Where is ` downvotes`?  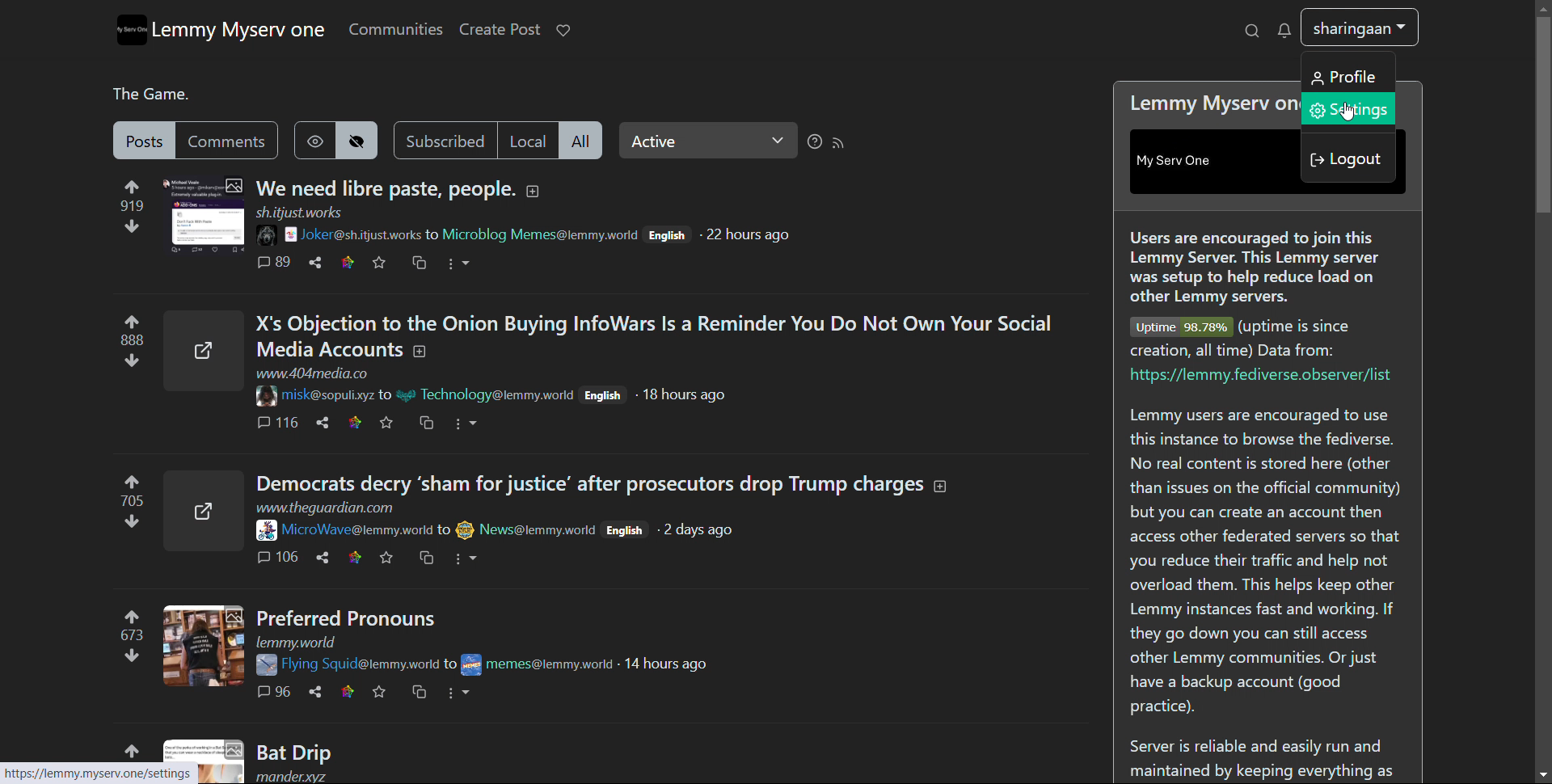
 downvotes is located at coordinates (130, 658).